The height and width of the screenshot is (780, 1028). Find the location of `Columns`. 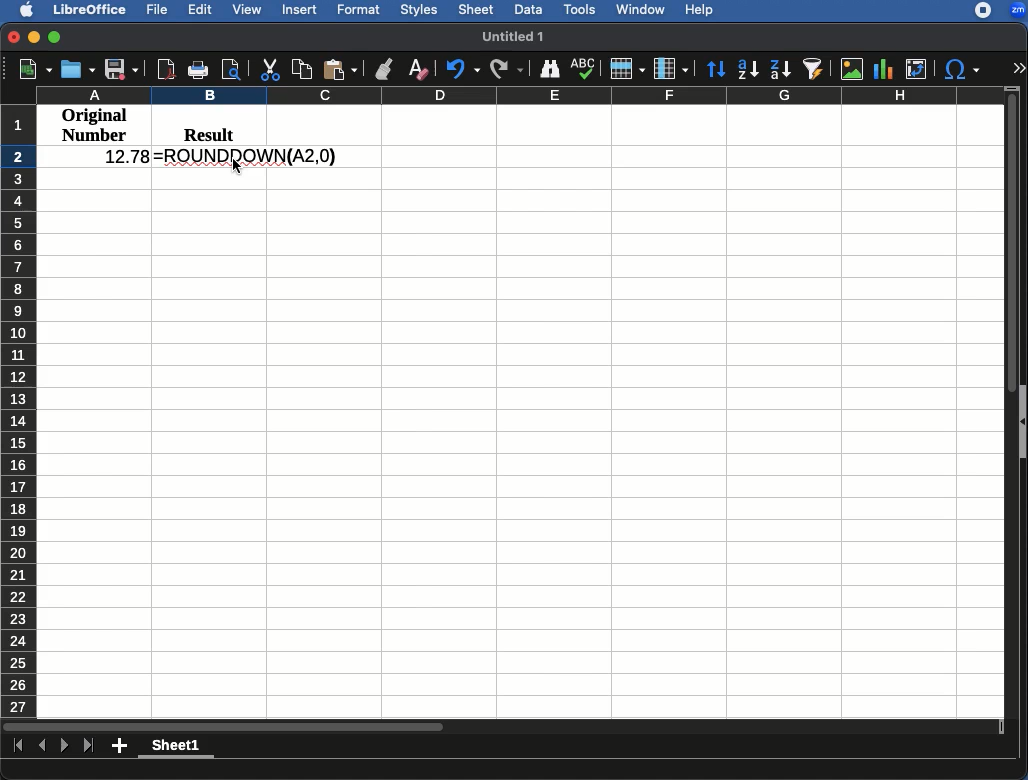

Columns is located at coordinates (518, 95).